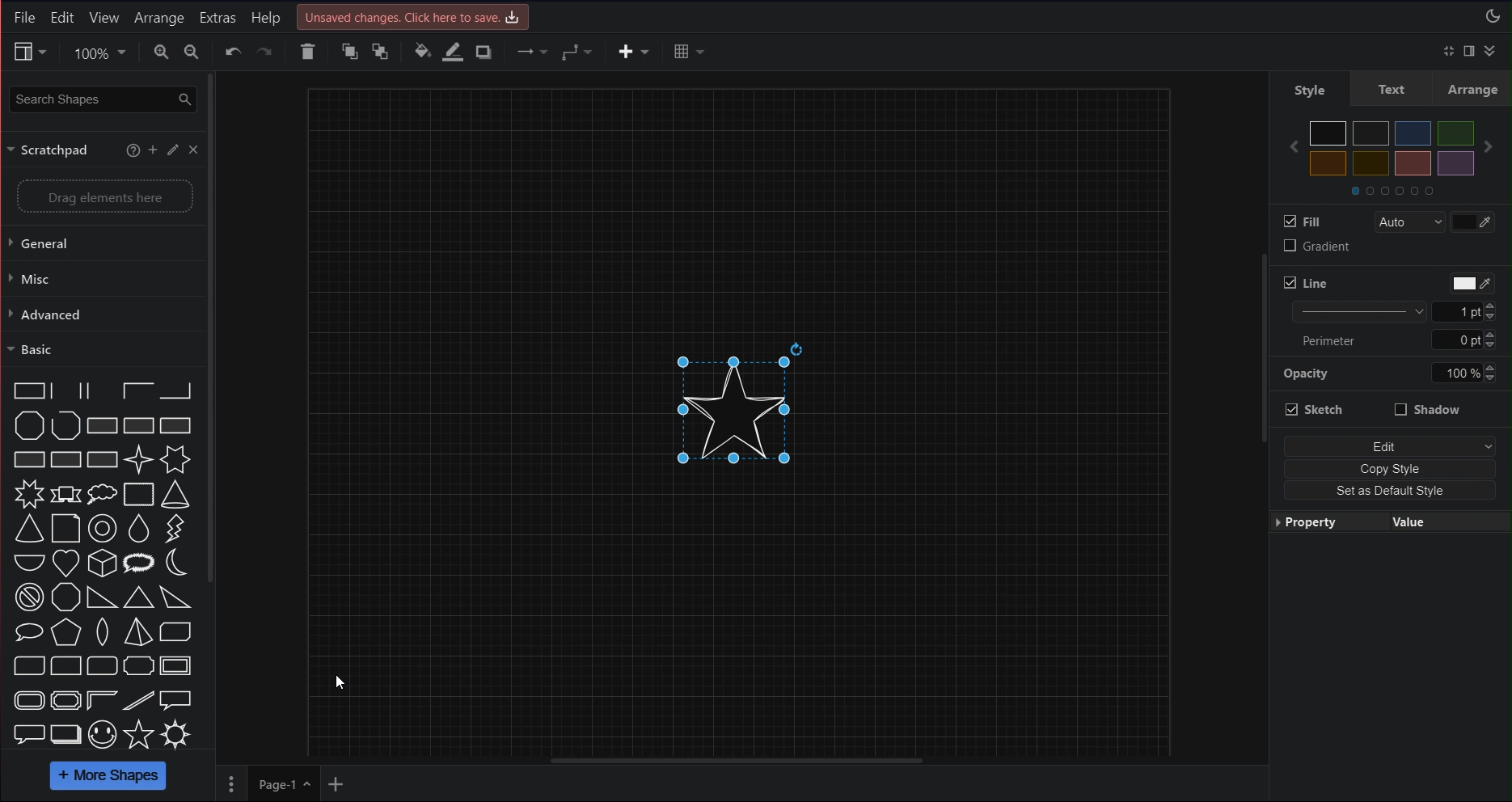  I want to click on Horizontal Scroll bar, so click(746, 759).